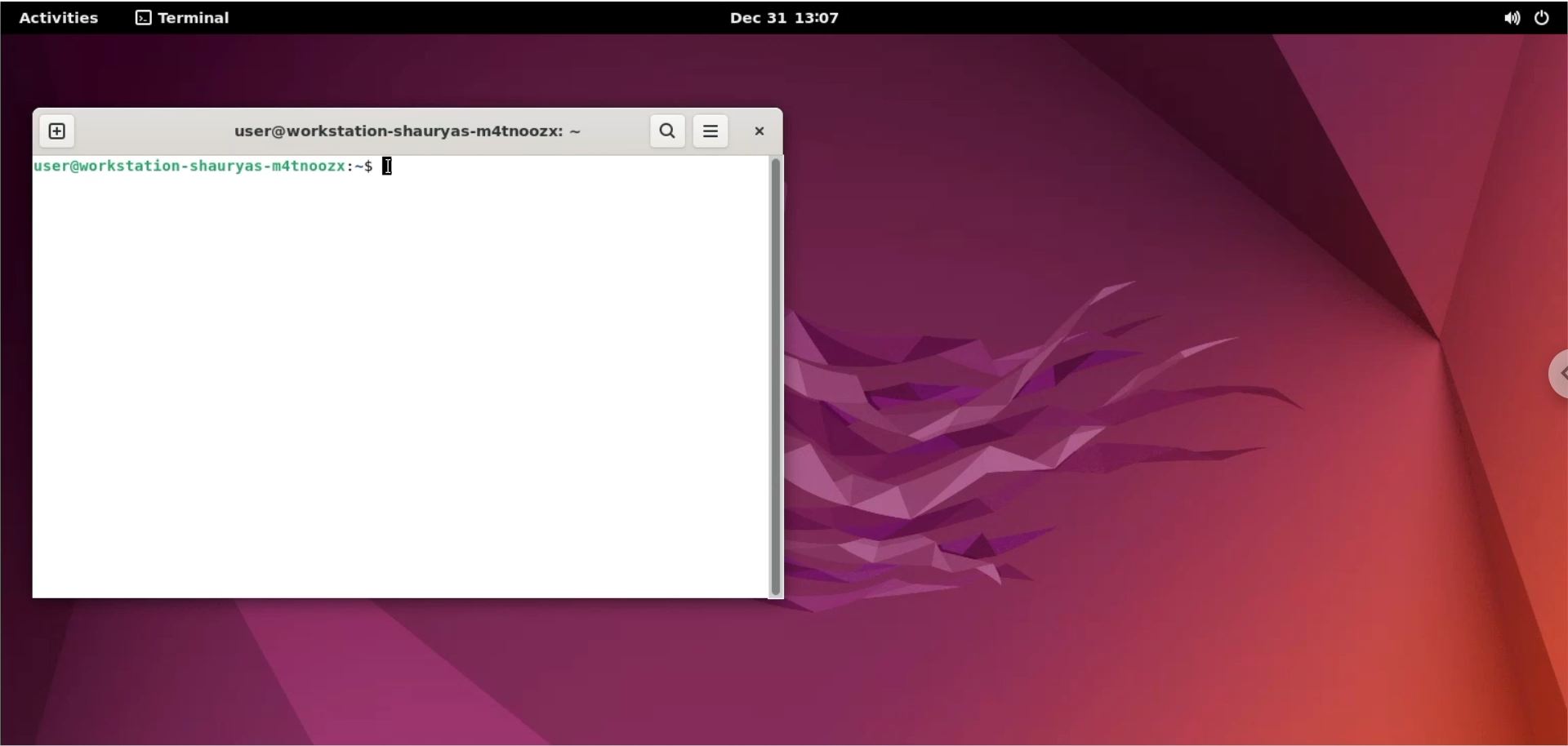 The image size is (1568, 746). I want to click on sound options, so click(1511, 18).